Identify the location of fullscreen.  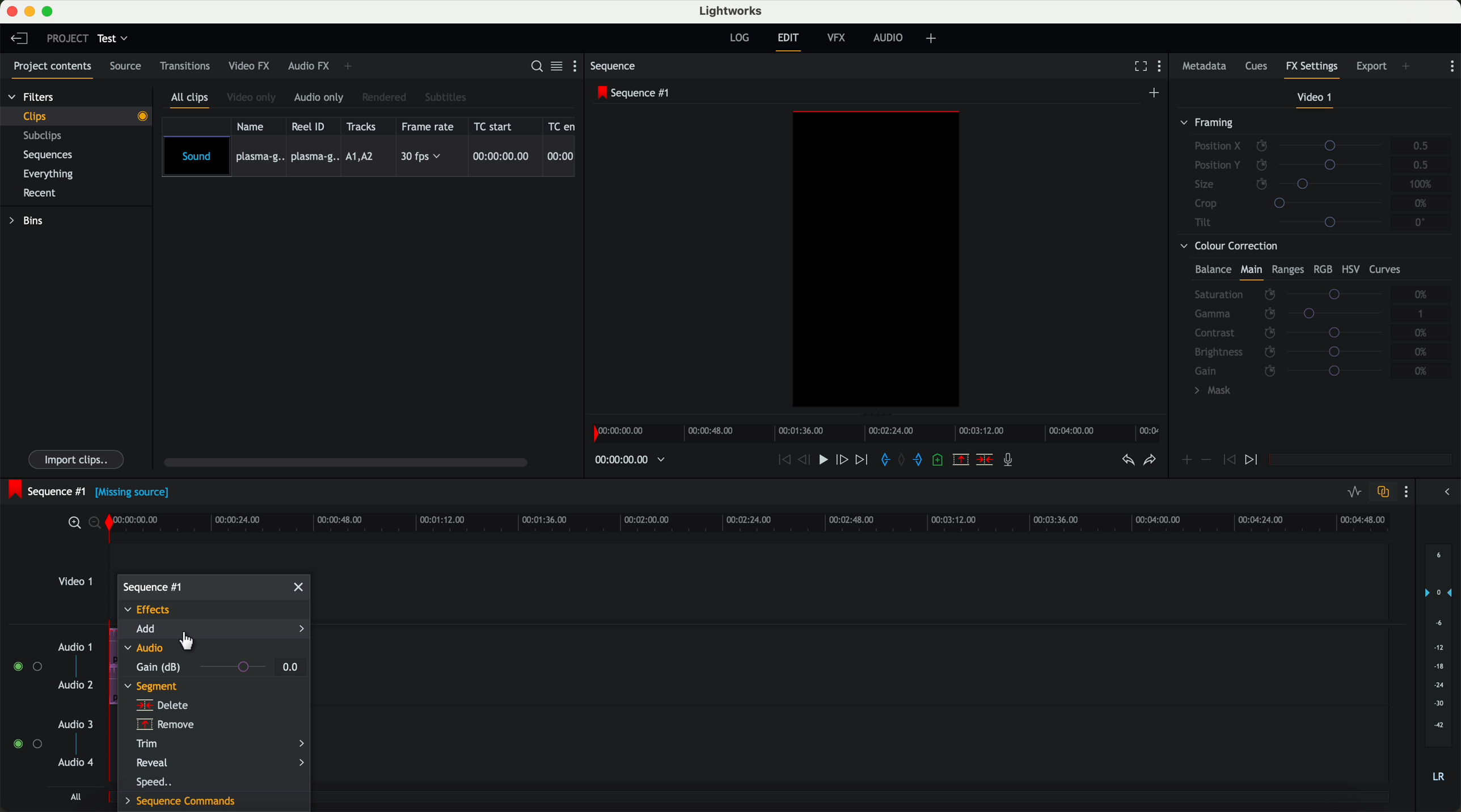
(1138, 67).